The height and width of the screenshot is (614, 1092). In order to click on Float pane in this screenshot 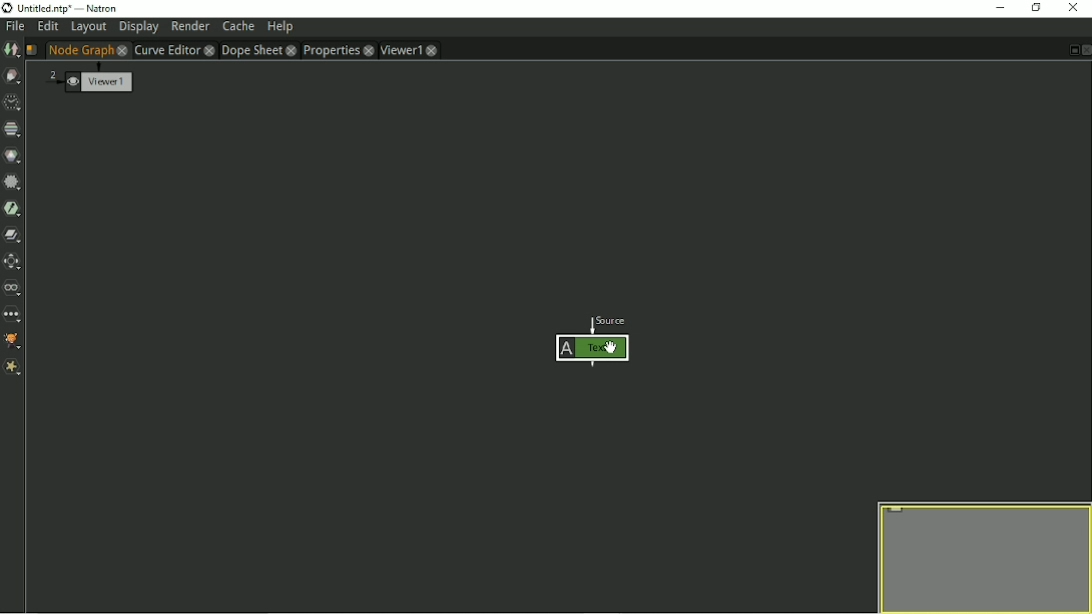, I will do `click(1072, 50)`.